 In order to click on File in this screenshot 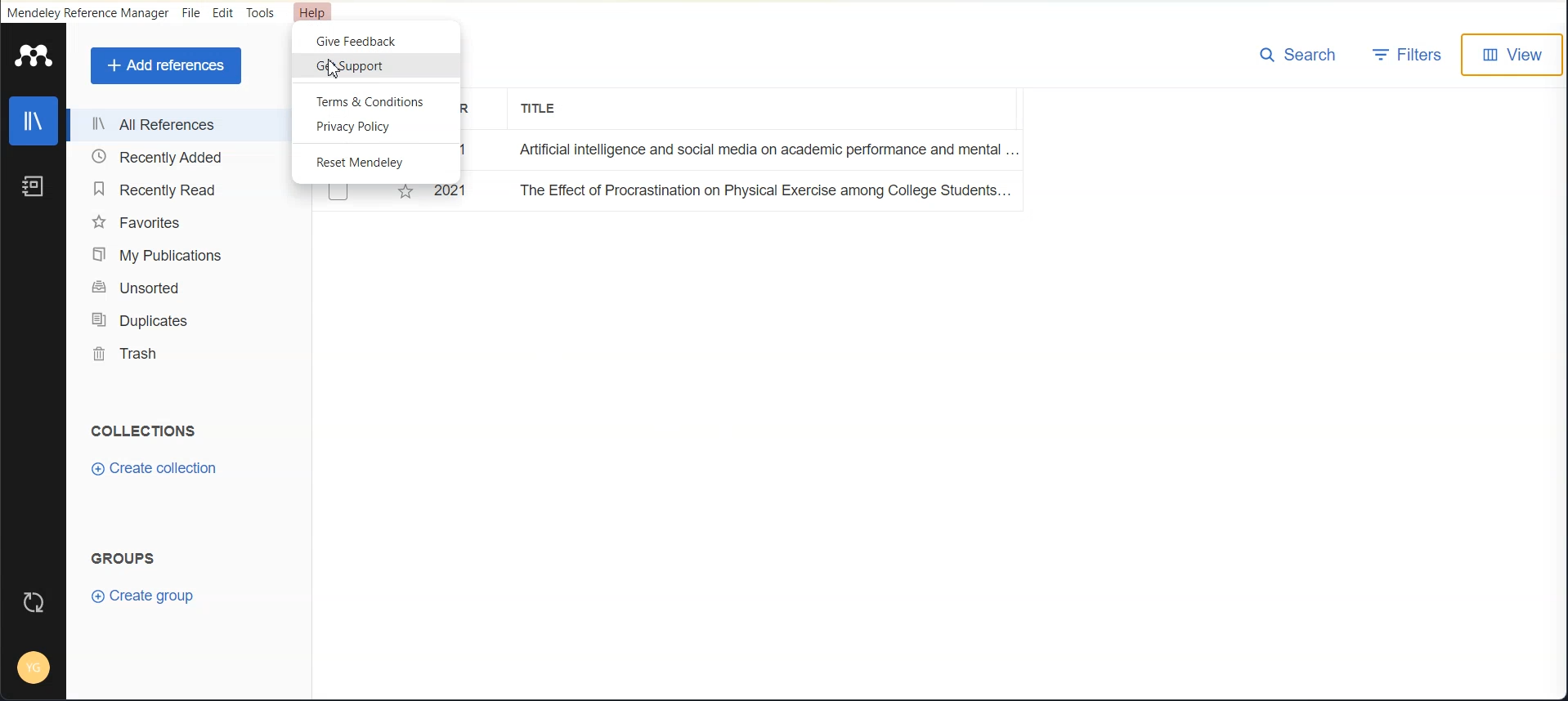, I will do `click(190, 13)`.